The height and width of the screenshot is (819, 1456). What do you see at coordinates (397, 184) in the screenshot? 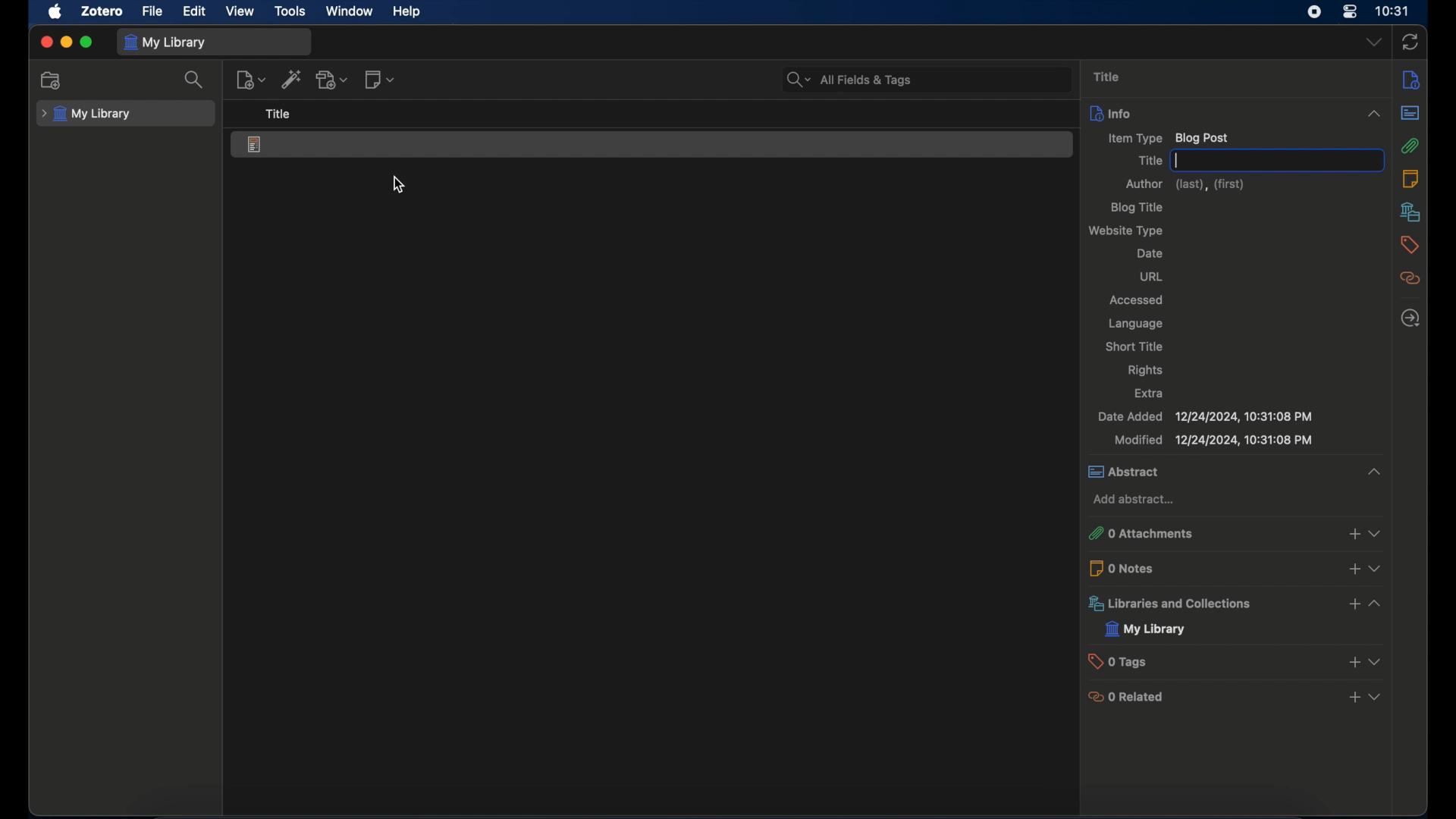
I see `cursor` at bounding box center [397, 184].